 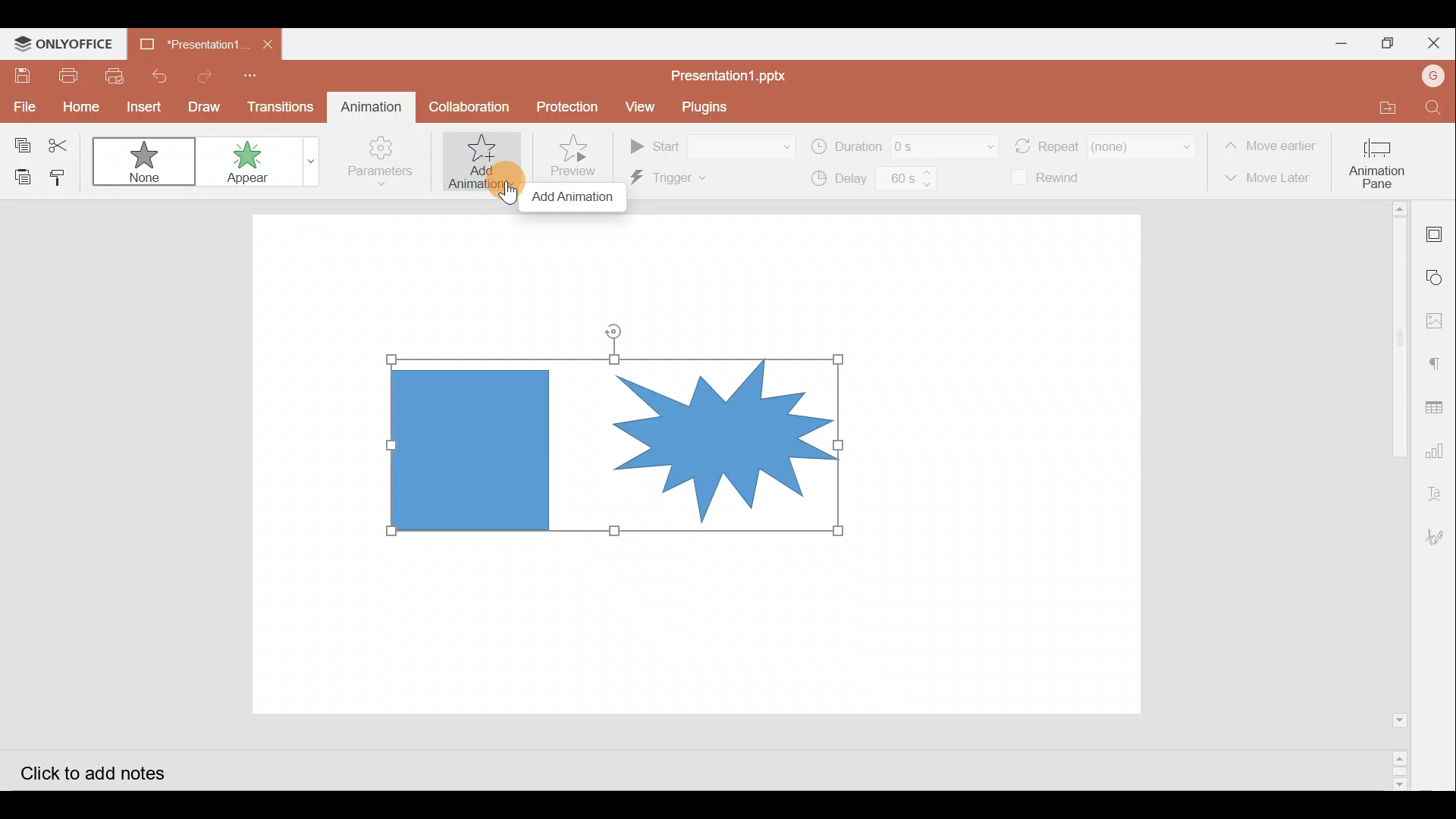 What do you see at coordinates (19, 177) in the screenshot?
I see `Paste` at bounding box center [19, 177].